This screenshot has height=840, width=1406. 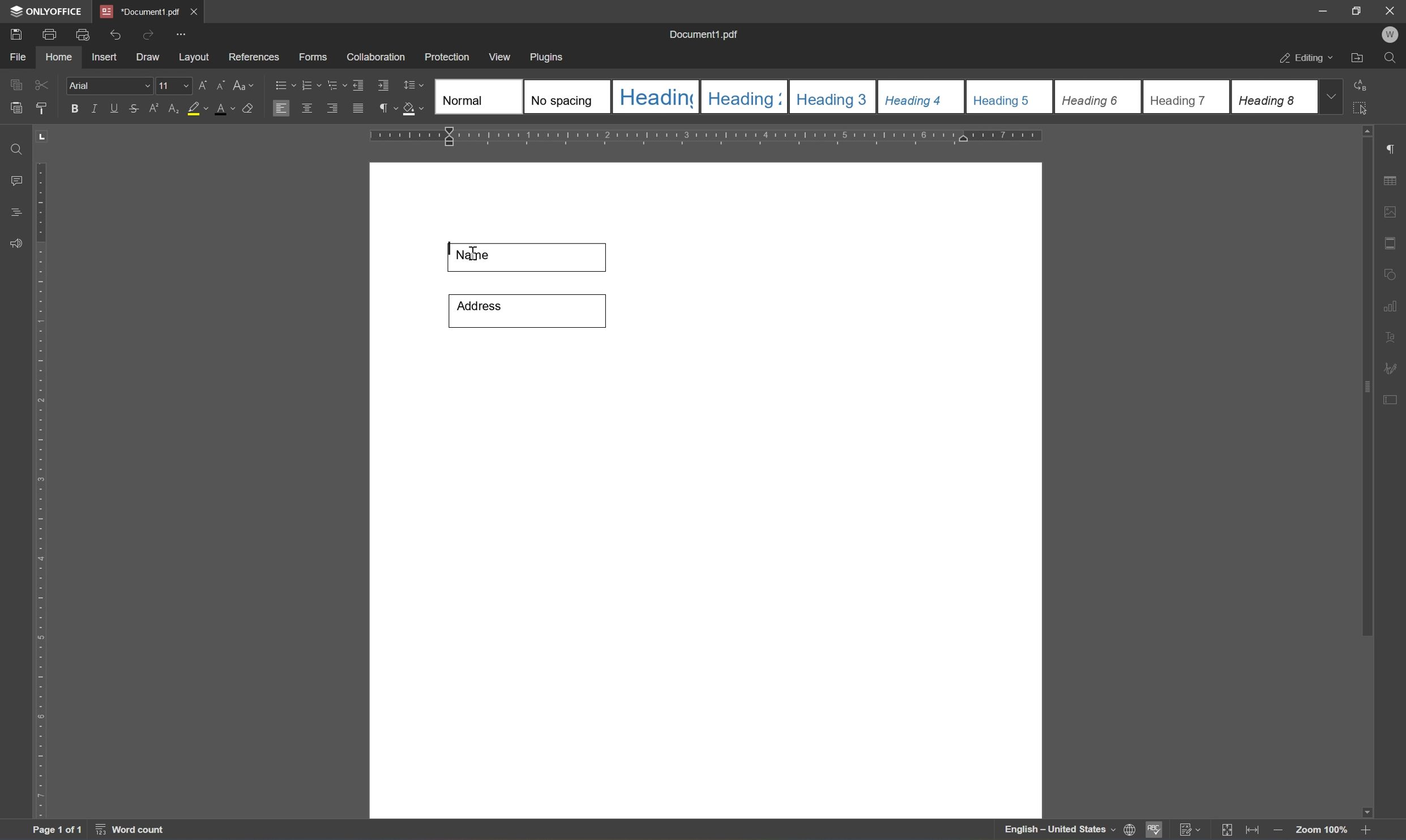 I want to click on copy, so click(x=17, y=108).